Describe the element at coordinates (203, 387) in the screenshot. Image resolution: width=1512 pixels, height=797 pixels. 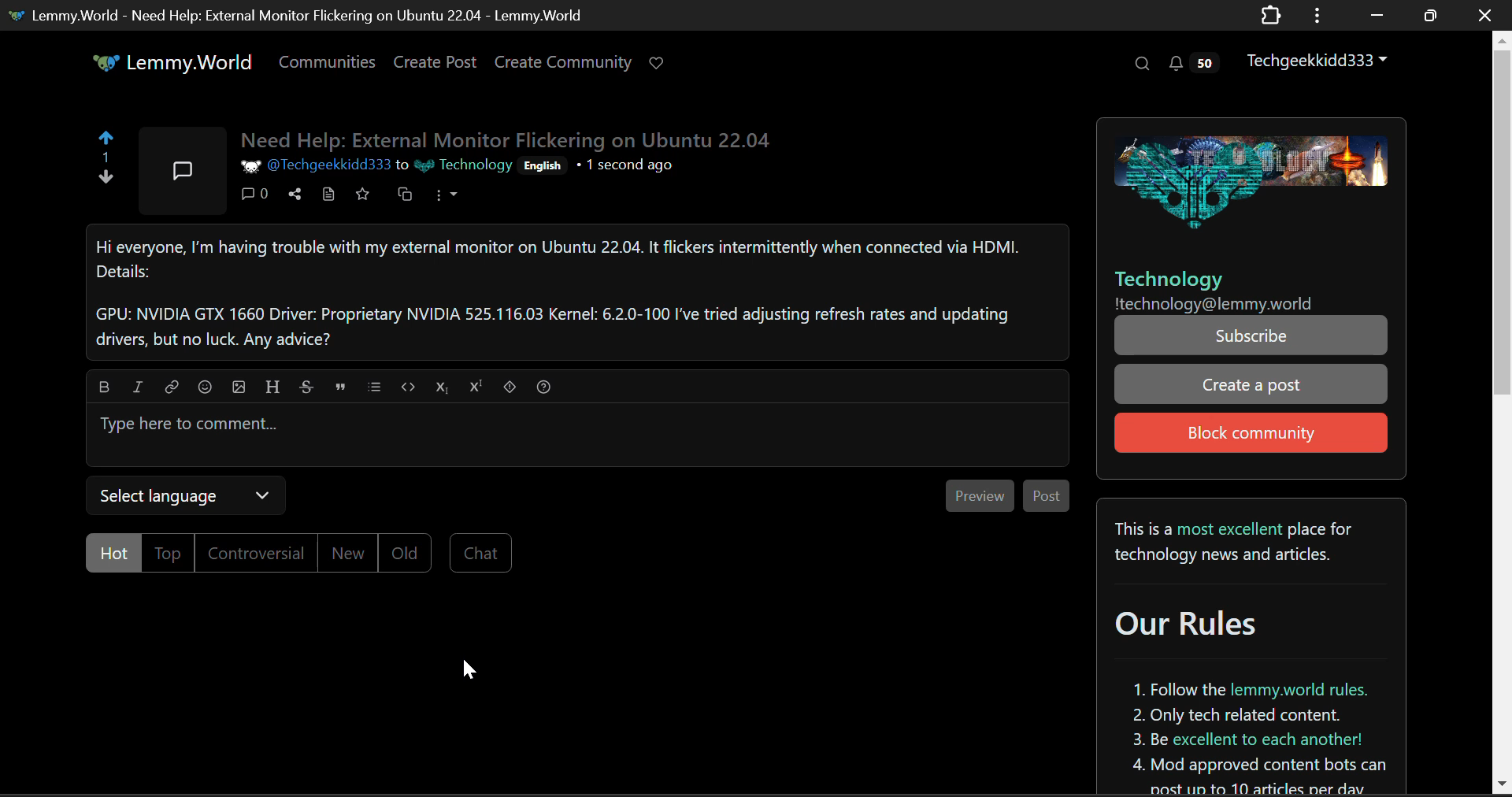
I see `Insert Emoji` at that location.